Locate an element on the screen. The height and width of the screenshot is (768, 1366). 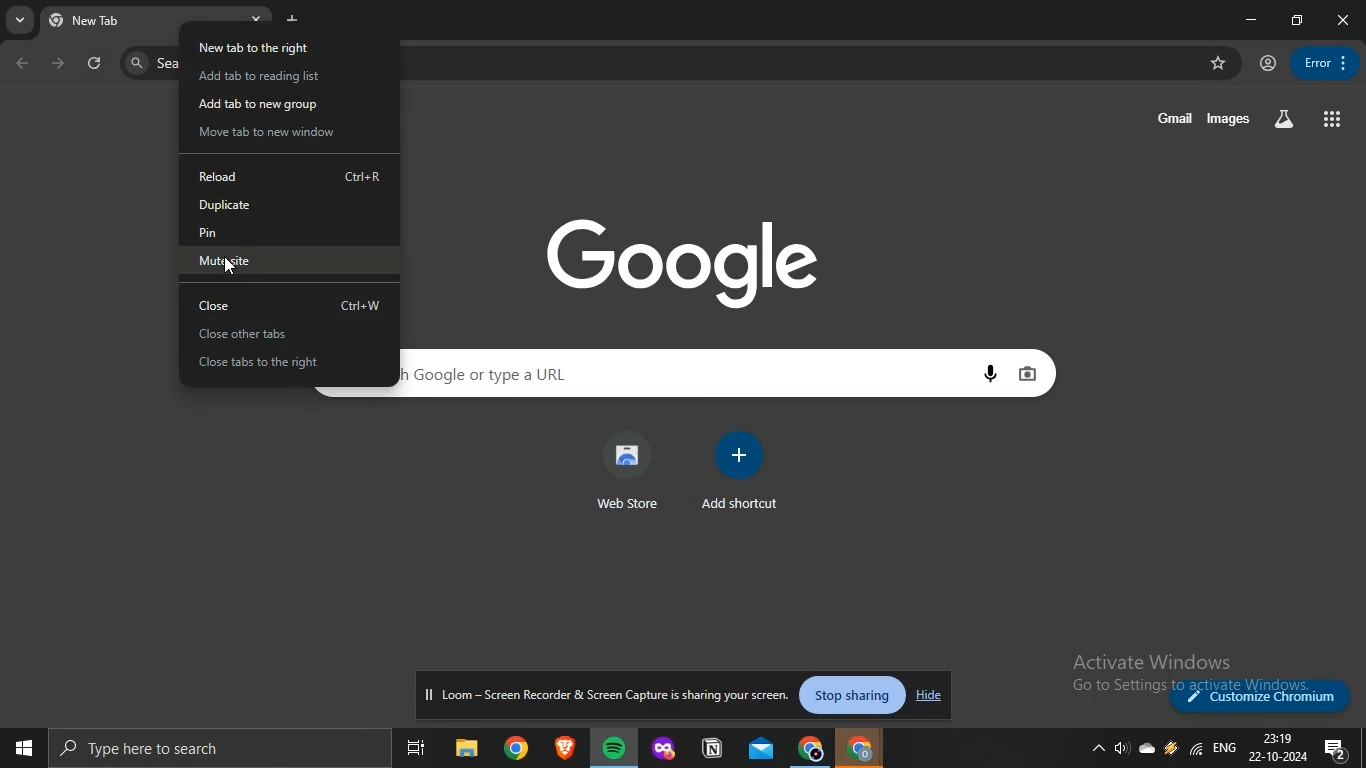
voice search is located at coordinates (995, 374).